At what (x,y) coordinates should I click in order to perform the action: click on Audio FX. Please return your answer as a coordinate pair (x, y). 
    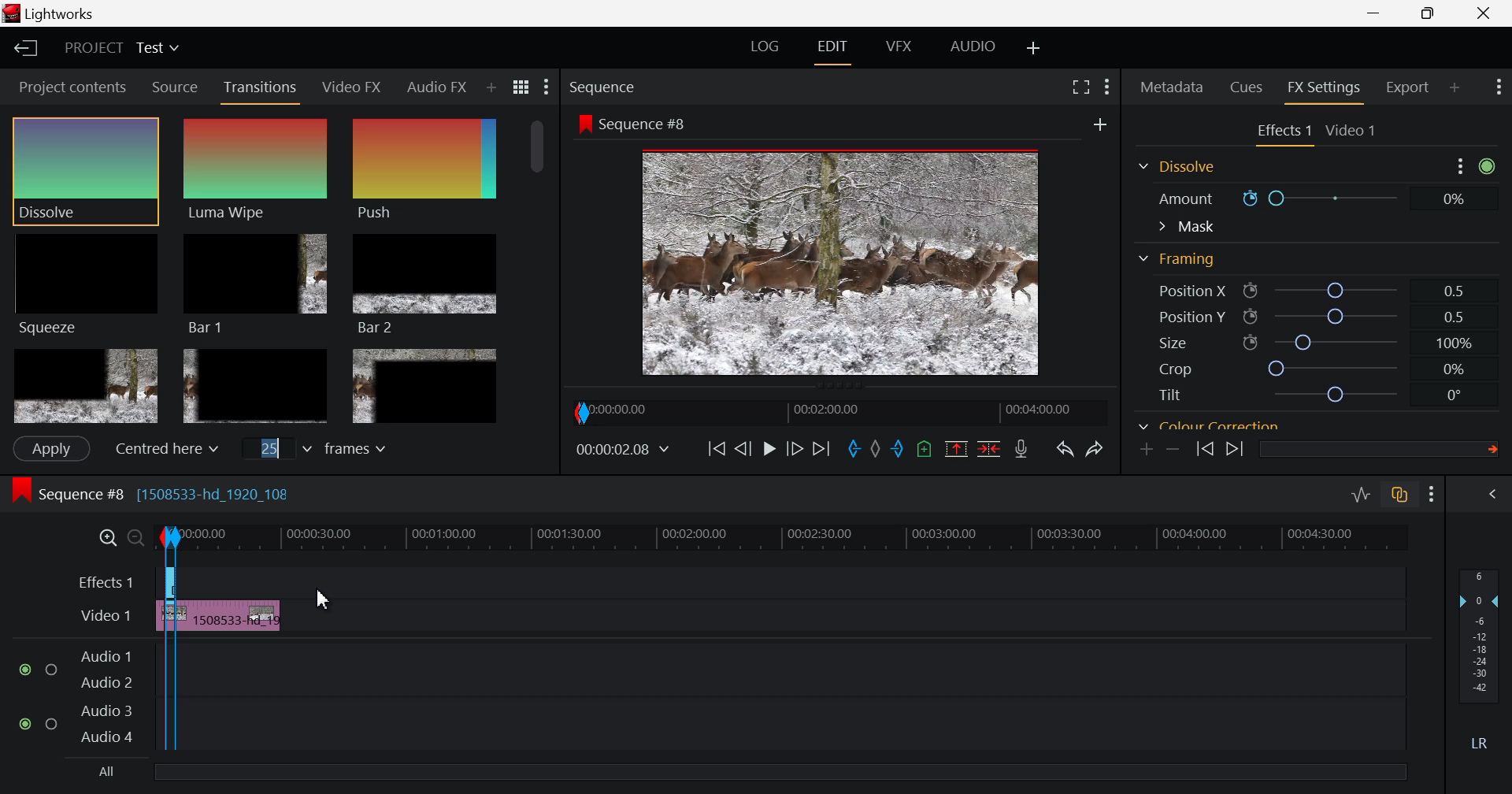
    Looking at the image, I should click on (435, 88).